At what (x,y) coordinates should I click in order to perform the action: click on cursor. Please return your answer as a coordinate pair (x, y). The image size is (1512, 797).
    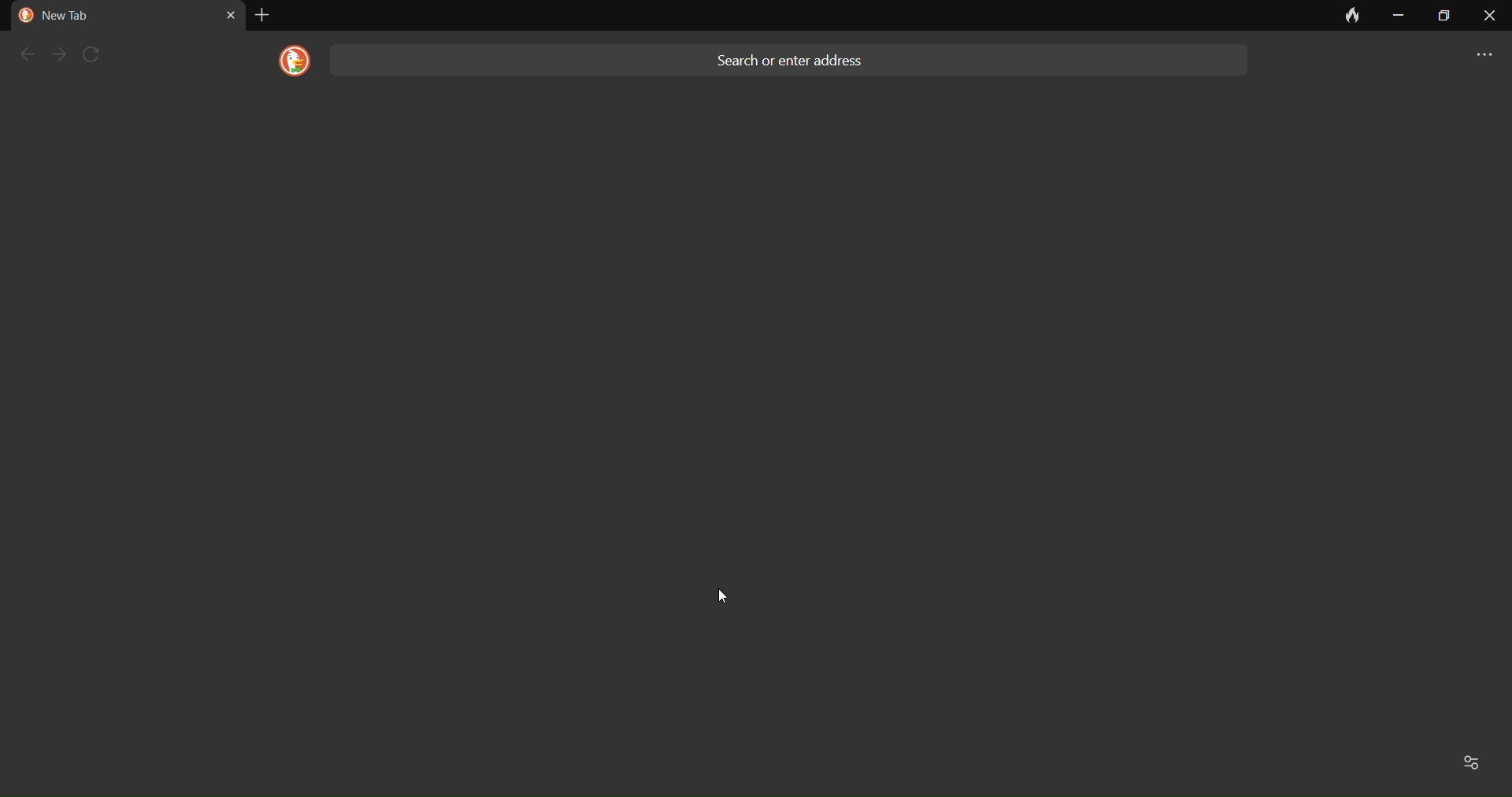
    Looking at the image, I should click on (727, 596).